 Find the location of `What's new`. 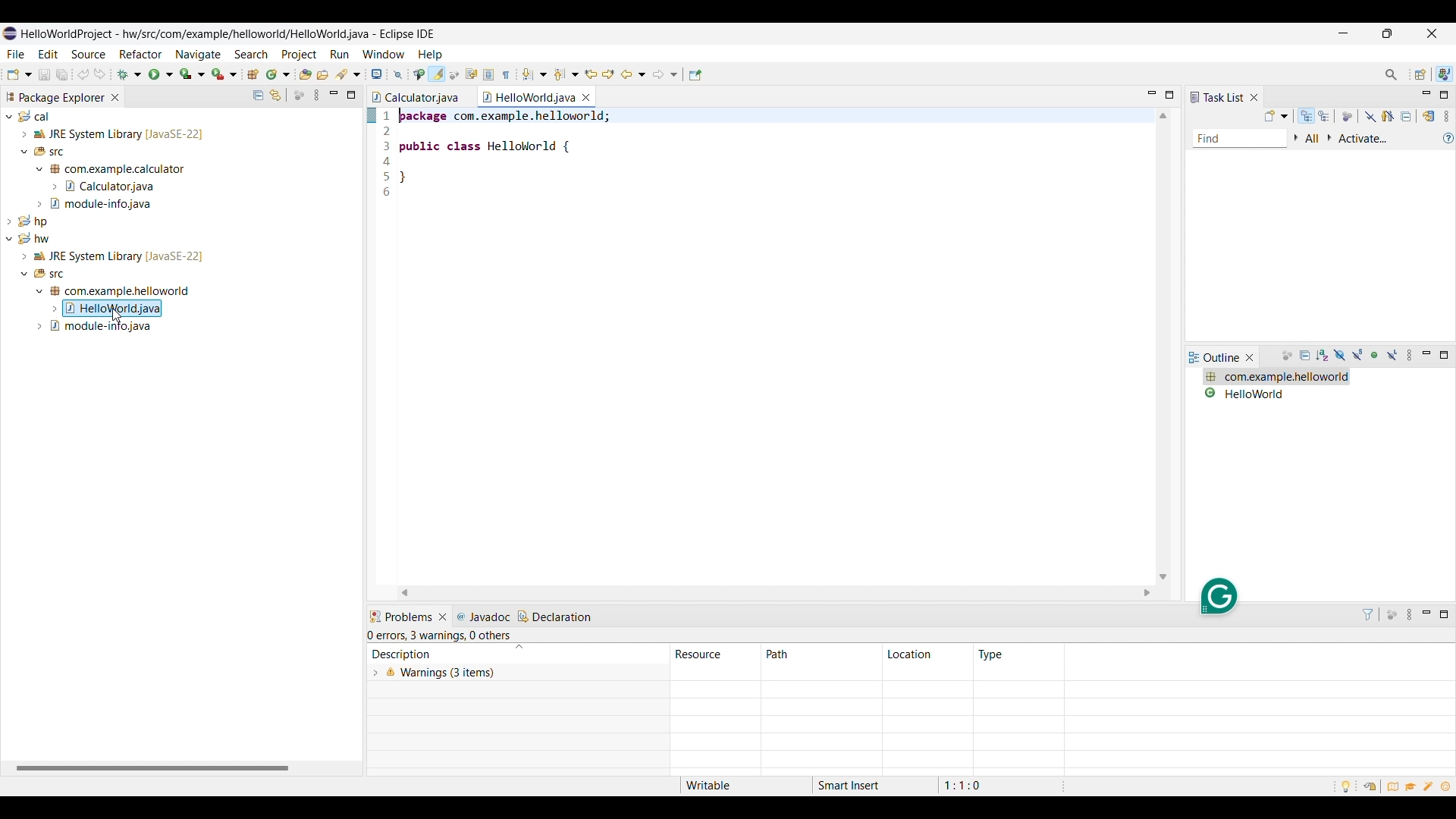

What's new is located at coordinates (1448, 788).